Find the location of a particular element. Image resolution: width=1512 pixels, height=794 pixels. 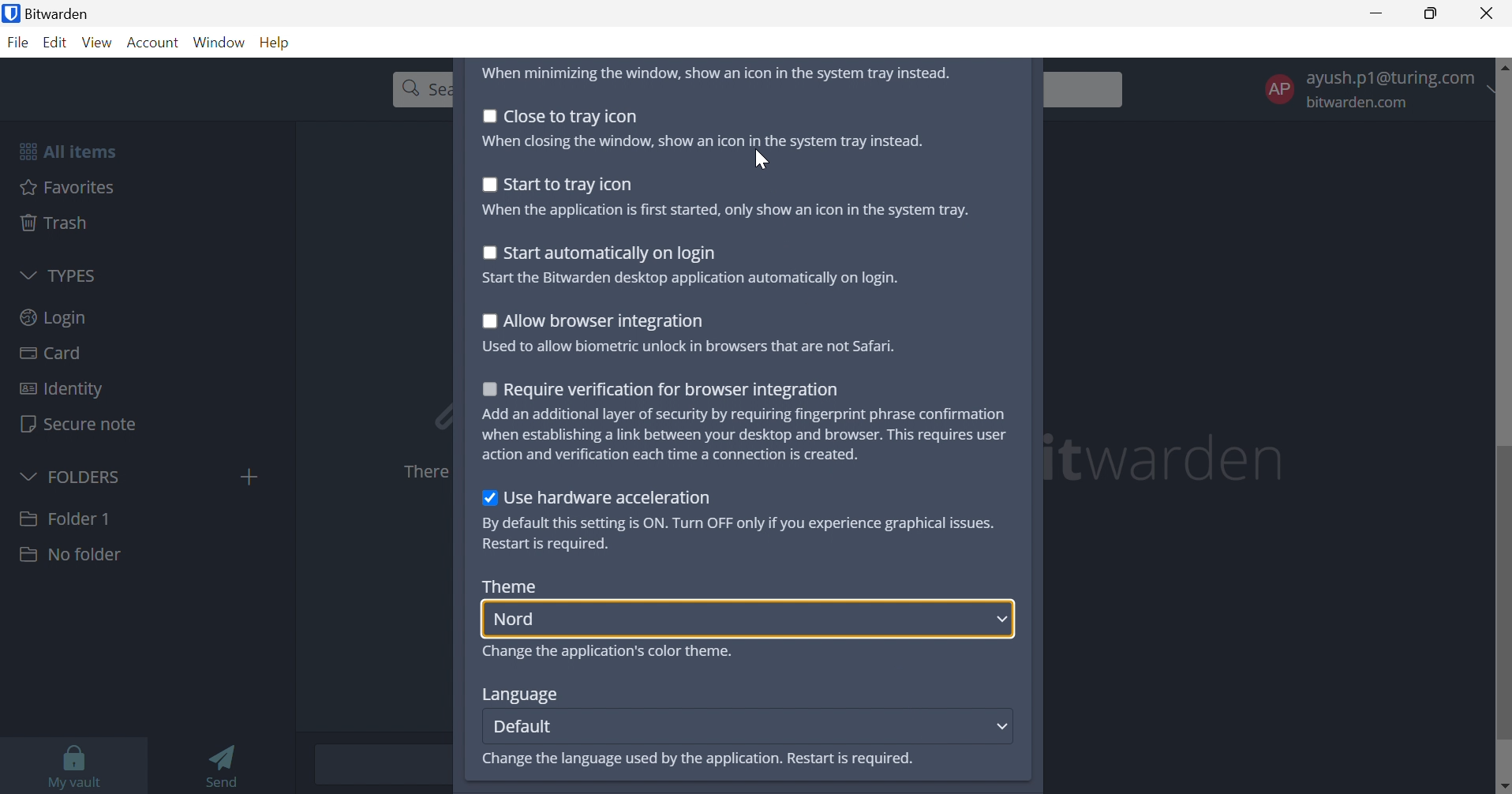

 is located at coordinates (715, 72).